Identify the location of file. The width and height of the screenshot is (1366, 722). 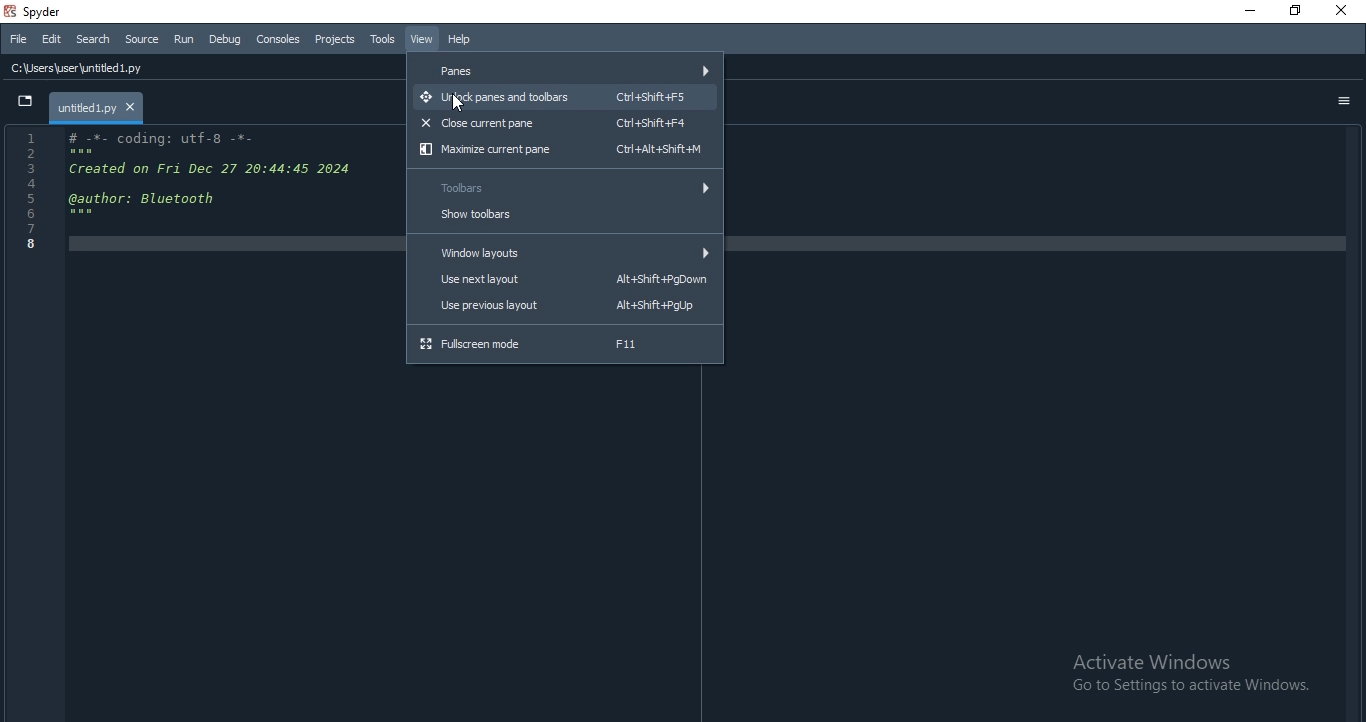
(19, 37).